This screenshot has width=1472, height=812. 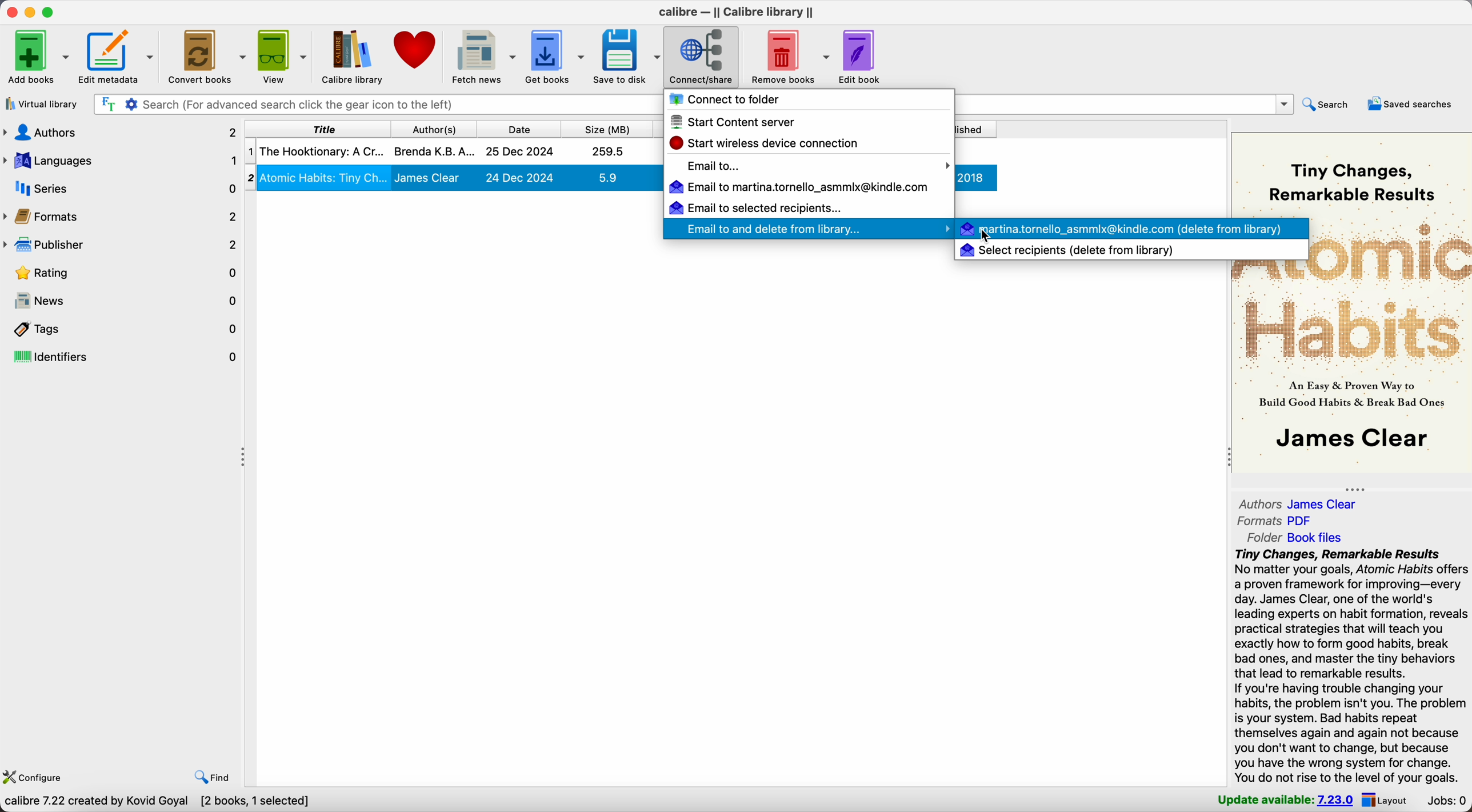 I want to click on search bar, so click(x=378, y=105).